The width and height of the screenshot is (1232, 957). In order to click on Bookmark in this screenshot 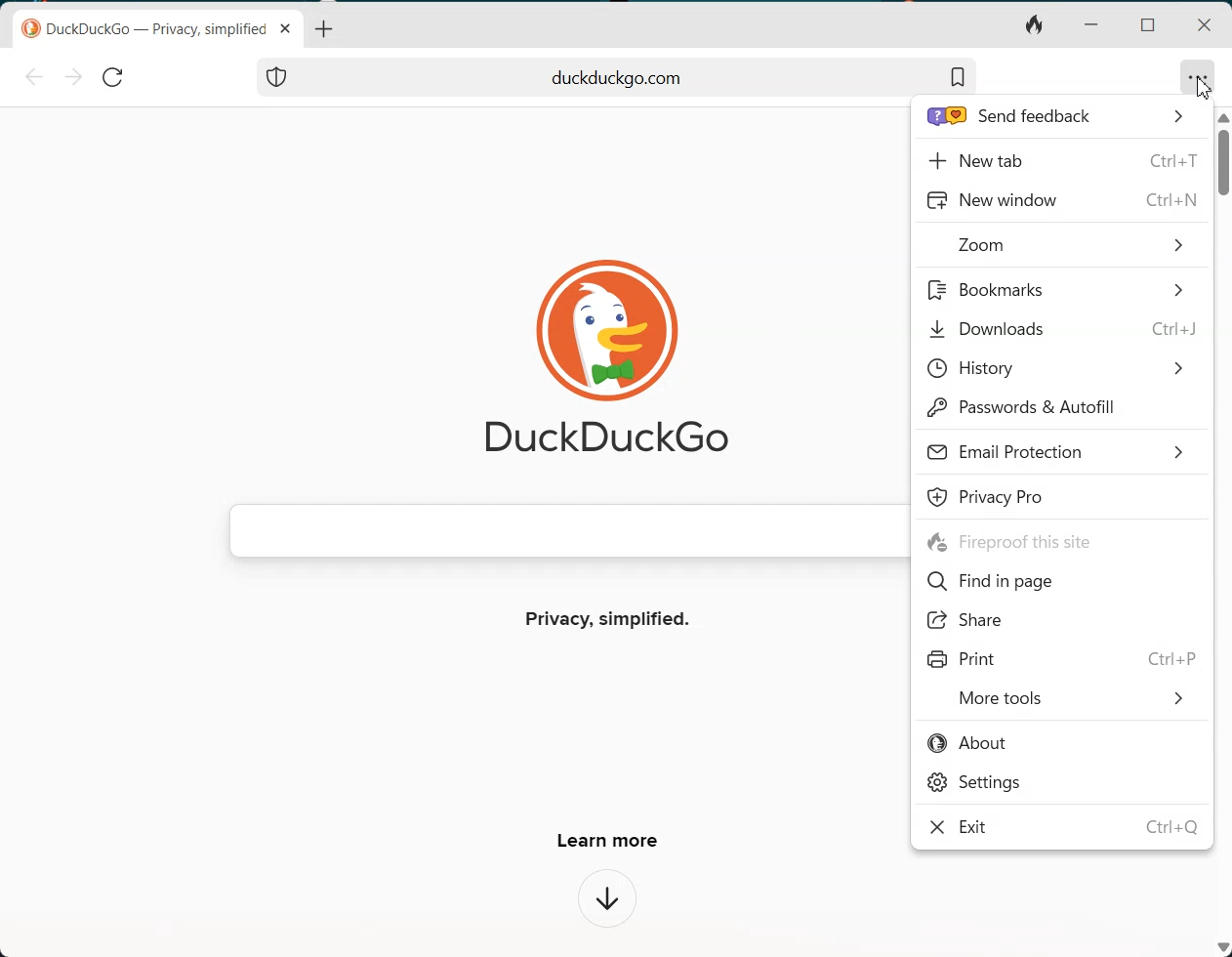, I will do `click(1063, 290)`.